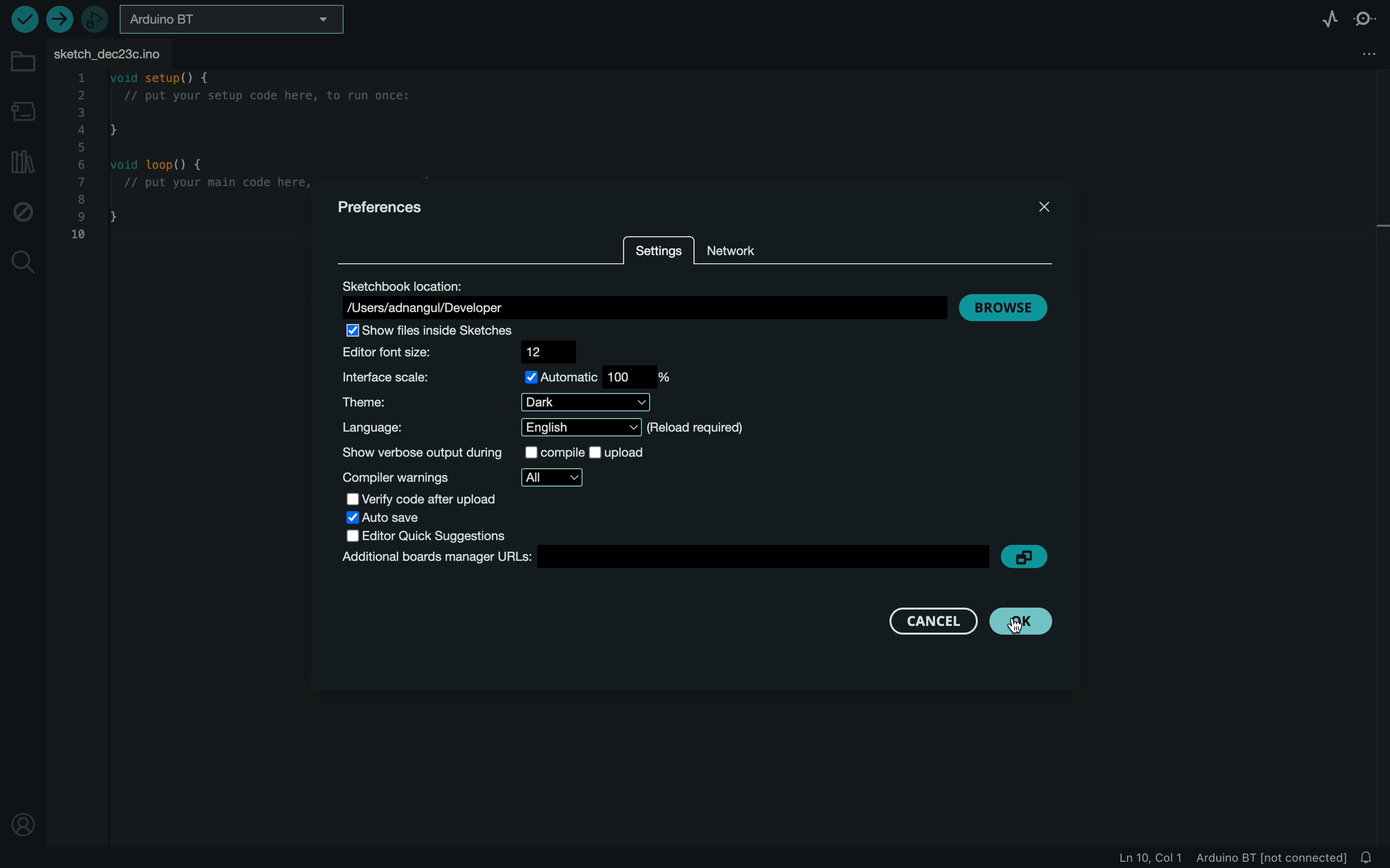 Image resolution: width=1390 pixels, height=868 pixels. I want to click on debug, so click(24, 212).